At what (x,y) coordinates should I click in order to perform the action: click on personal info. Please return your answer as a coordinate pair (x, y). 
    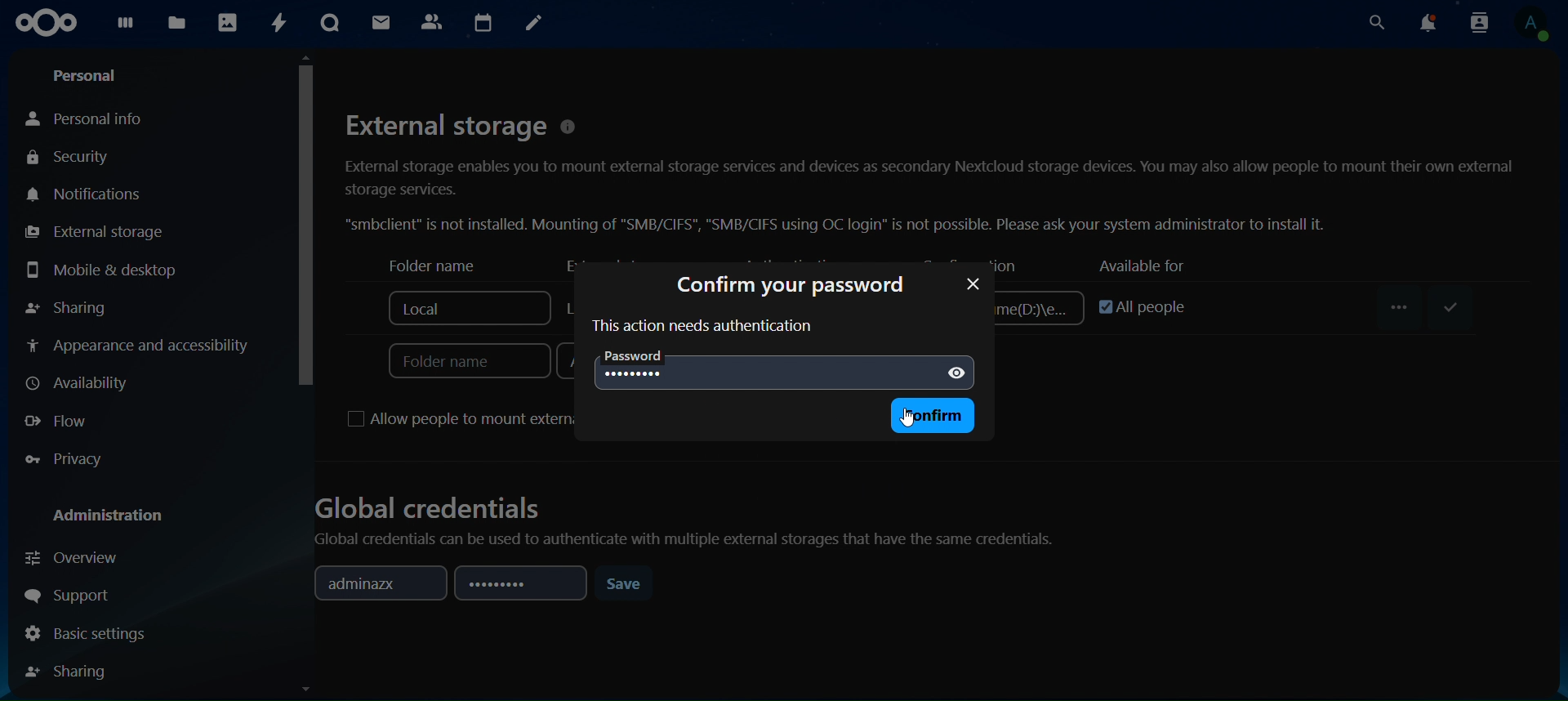
    Looking at the image, I should click on (90, 115).